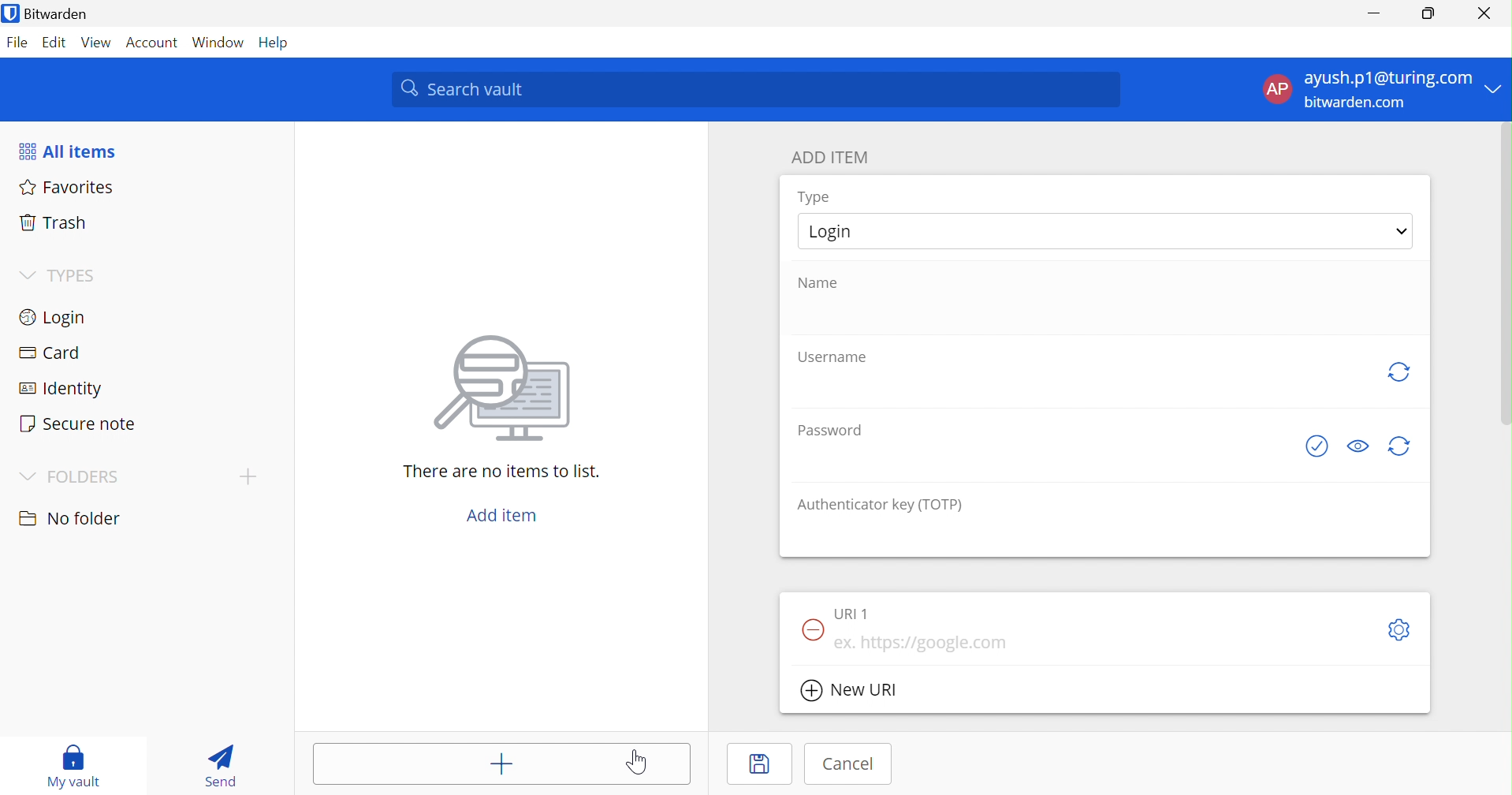  Describe the element at coordinates (153, 43) in the screenshot. I see `Account` at that location.